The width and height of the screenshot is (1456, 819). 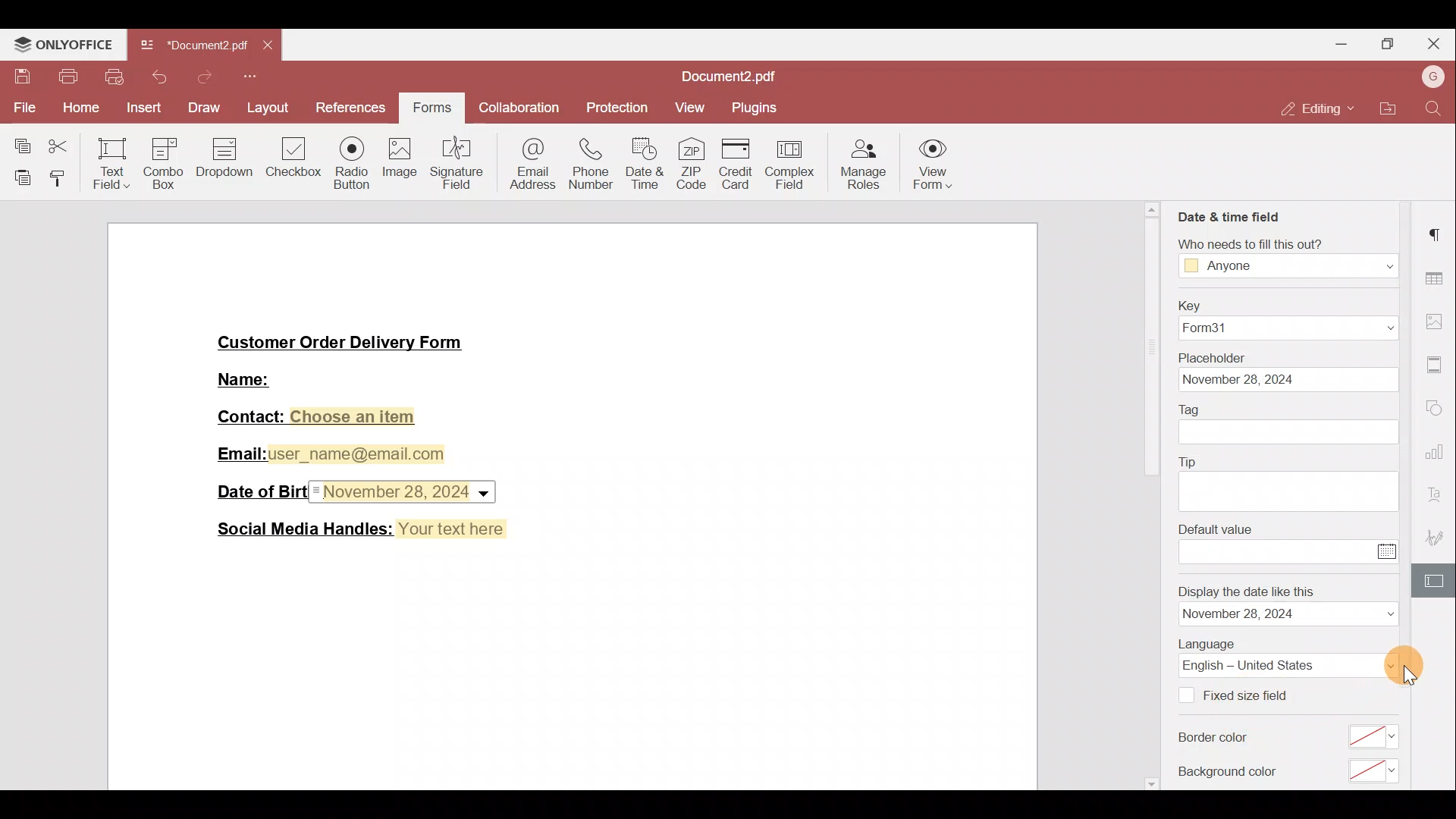 I want to click on Complex field, so click(x=791, y=165).